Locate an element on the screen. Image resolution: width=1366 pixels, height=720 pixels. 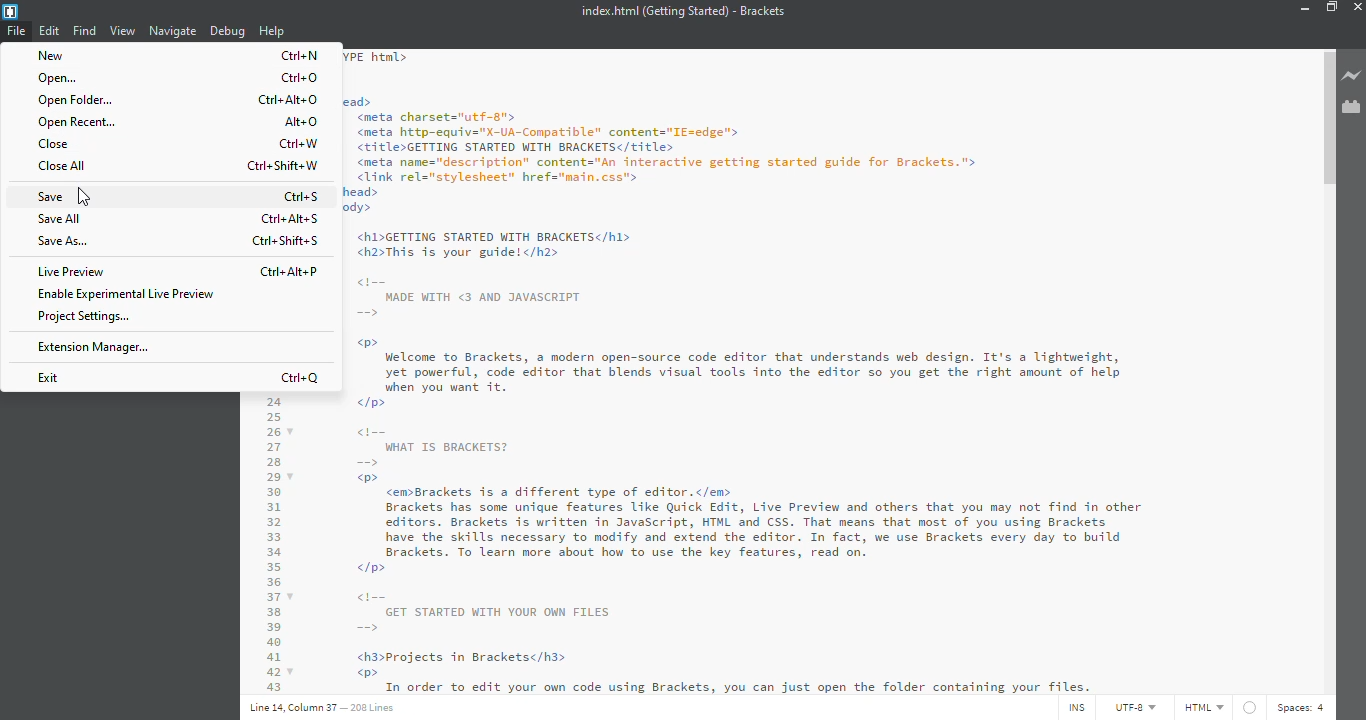
open recent is located at coordinates (81, 122).